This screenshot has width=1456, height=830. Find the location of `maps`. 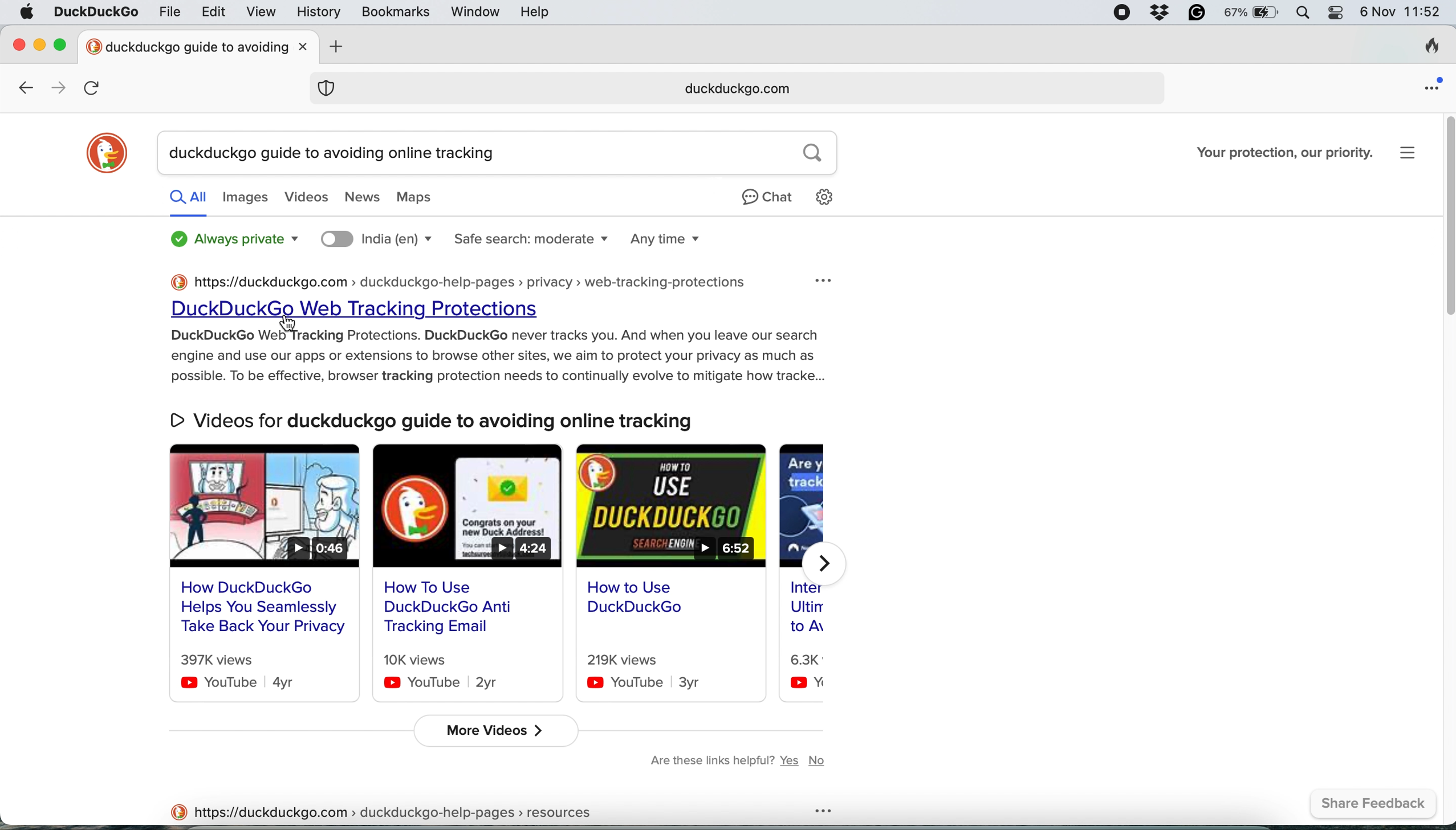

maps is located at coordinates (413, 200).